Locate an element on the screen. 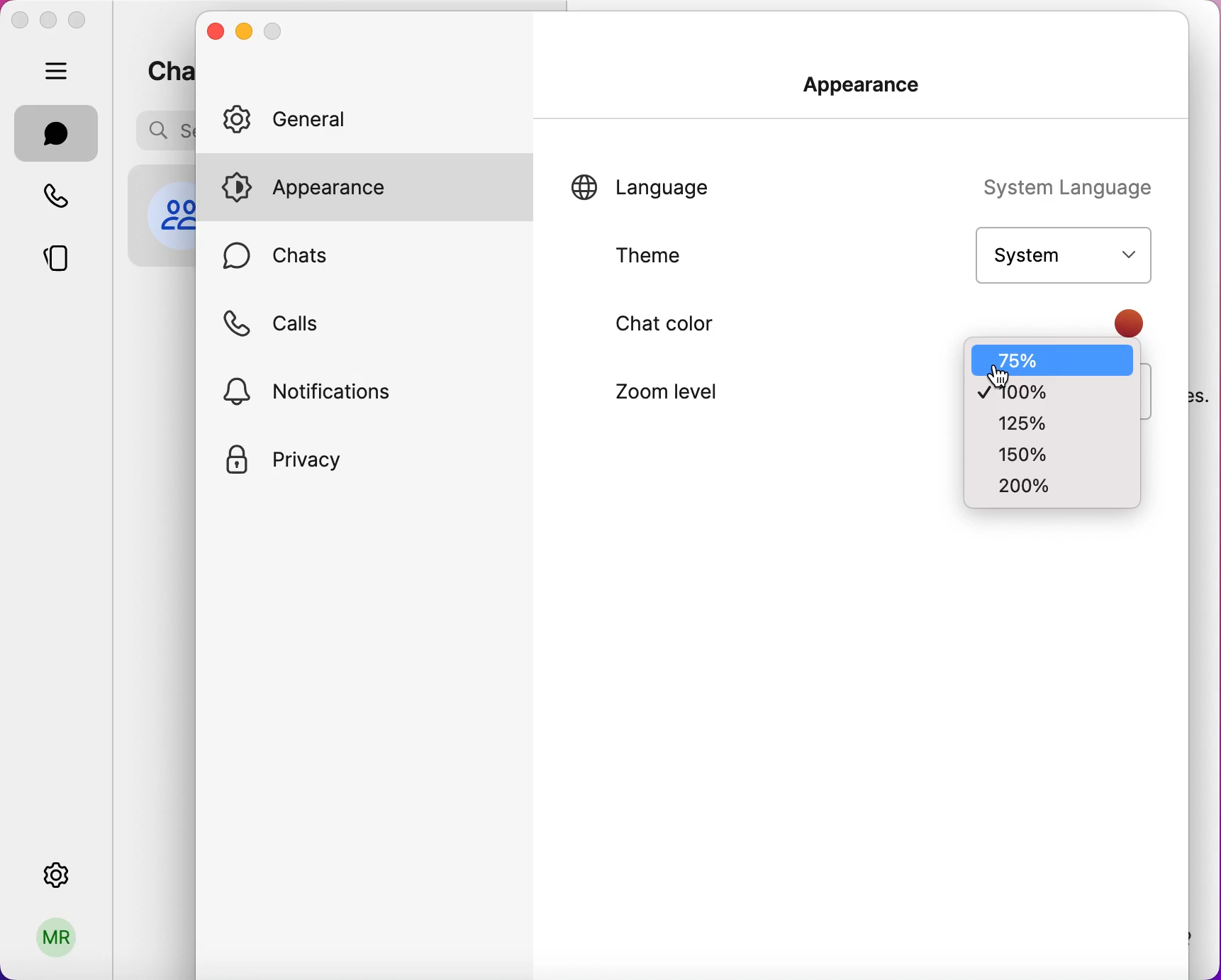 This screenshot has width=1221, height=980. language is located at coordinates (674, 191).